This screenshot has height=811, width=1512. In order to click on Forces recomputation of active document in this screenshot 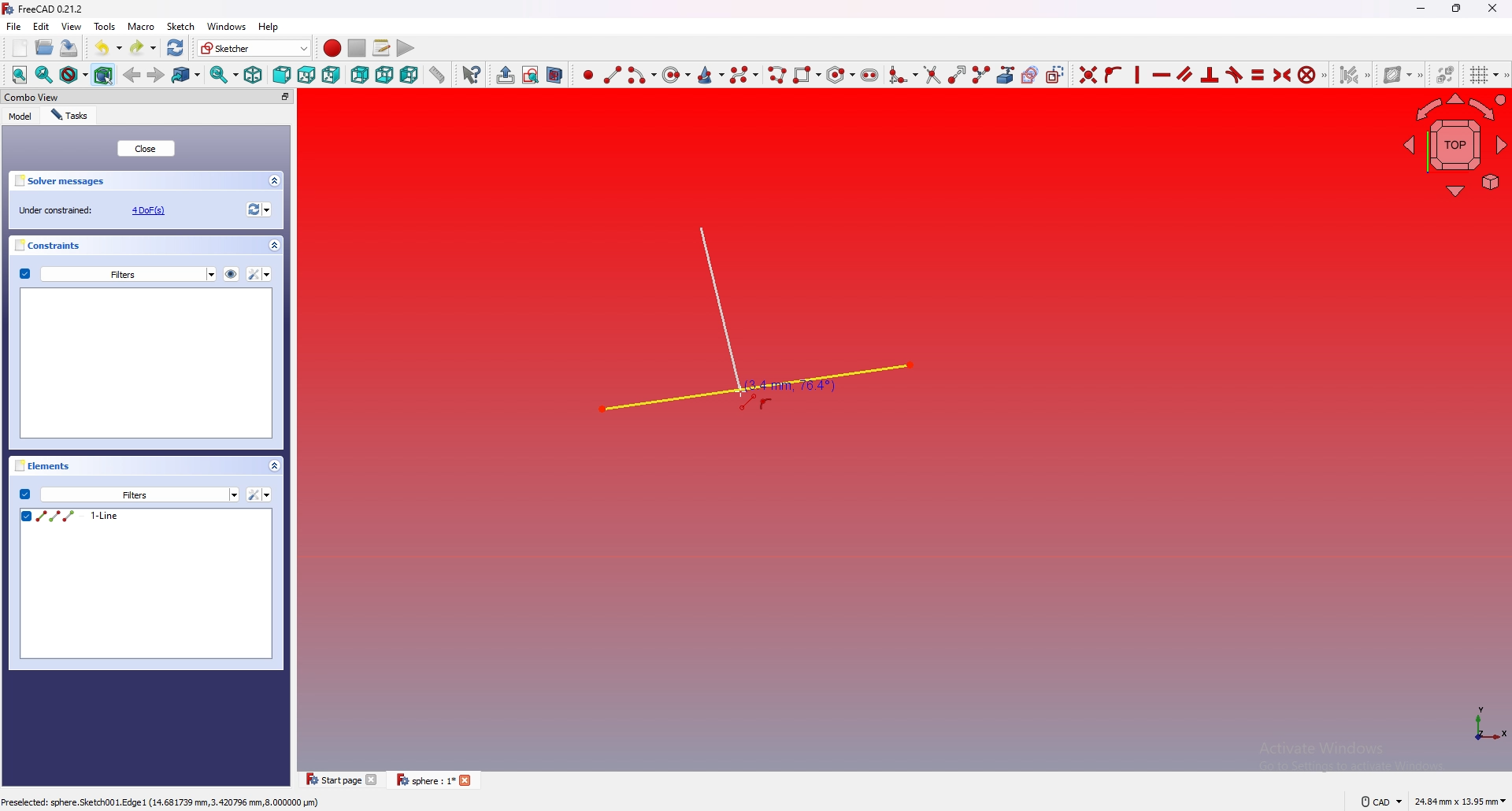, I will do `click(257, 211)`.